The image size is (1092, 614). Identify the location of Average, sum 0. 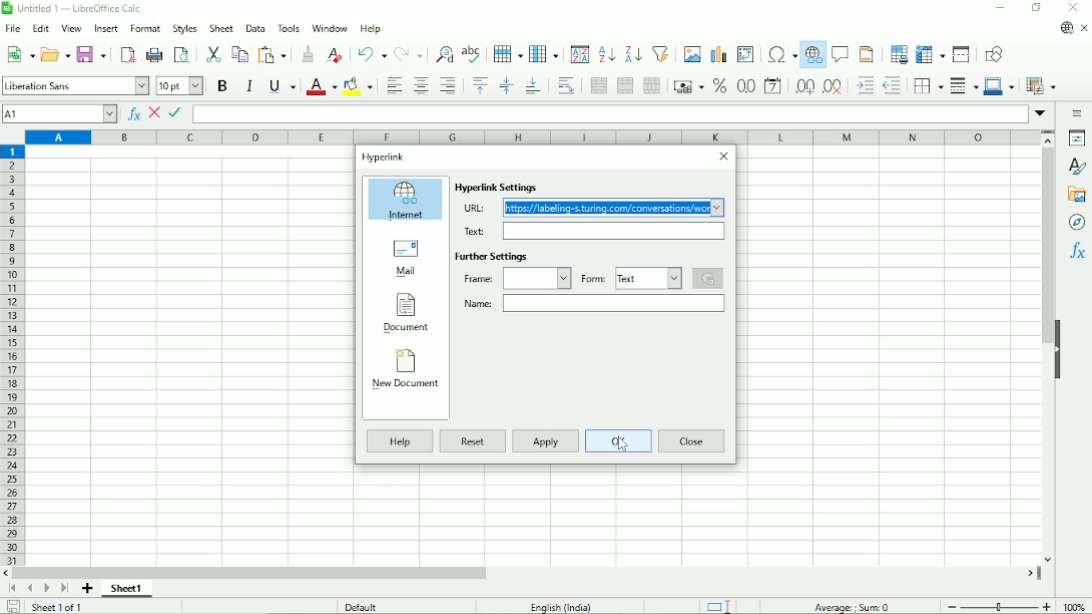
(852, 606).